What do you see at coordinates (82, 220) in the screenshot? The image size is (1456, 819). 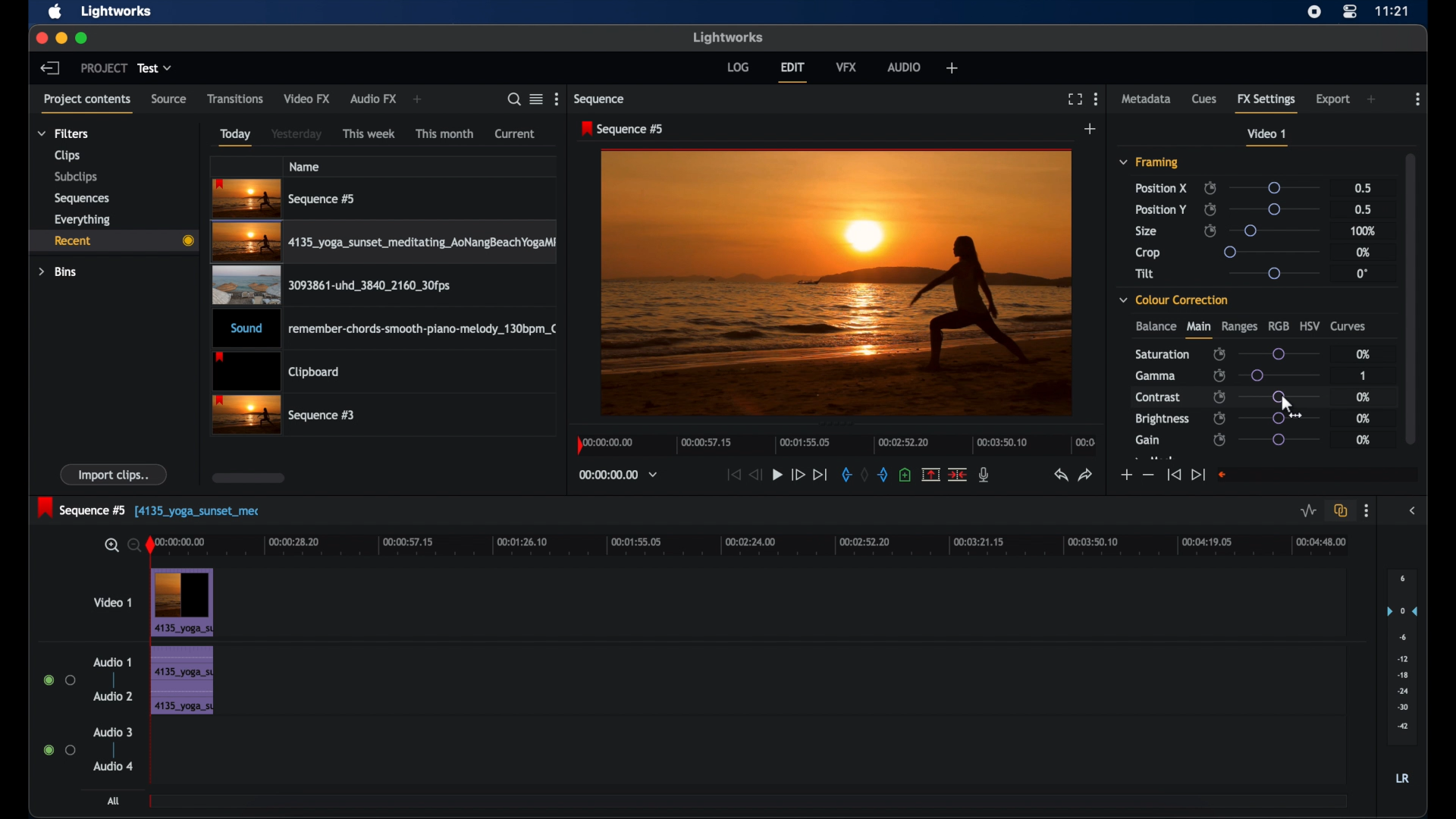 I see `everything` at bounding box center [82, 220].